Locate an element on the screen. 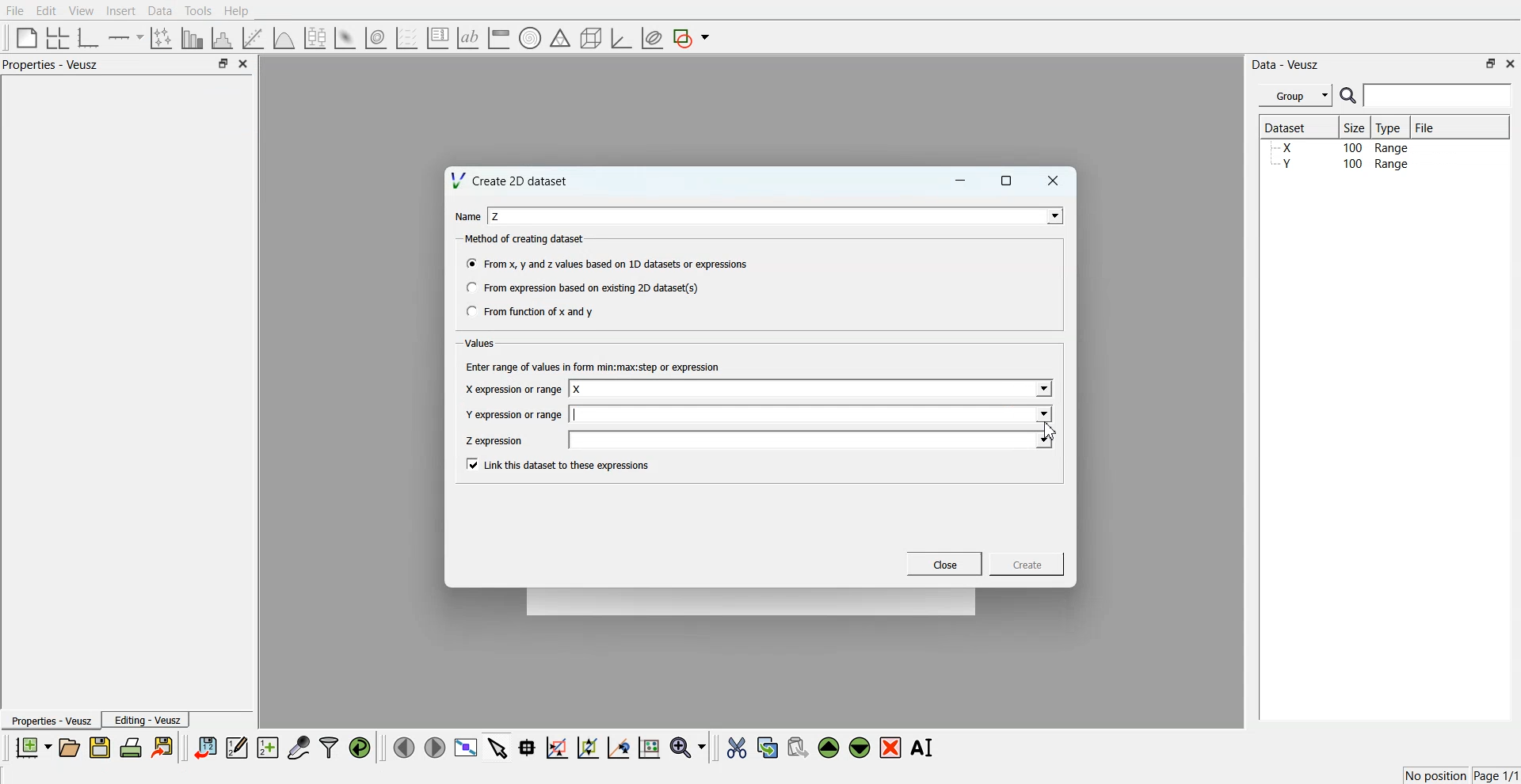 This screenshot has height=784, width=1521. Help is located at coordinates (237, 11).